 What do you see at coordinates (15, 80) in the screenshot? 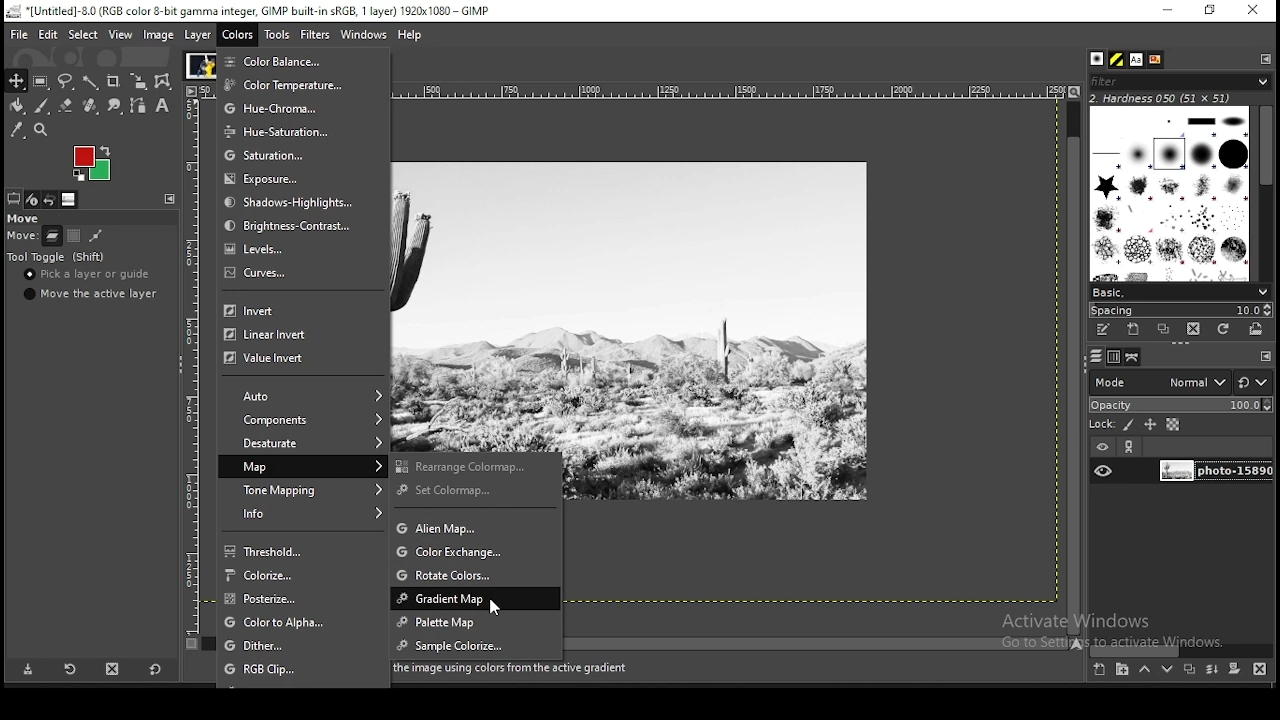
I see `move tool` at bounding box center [15, 80].